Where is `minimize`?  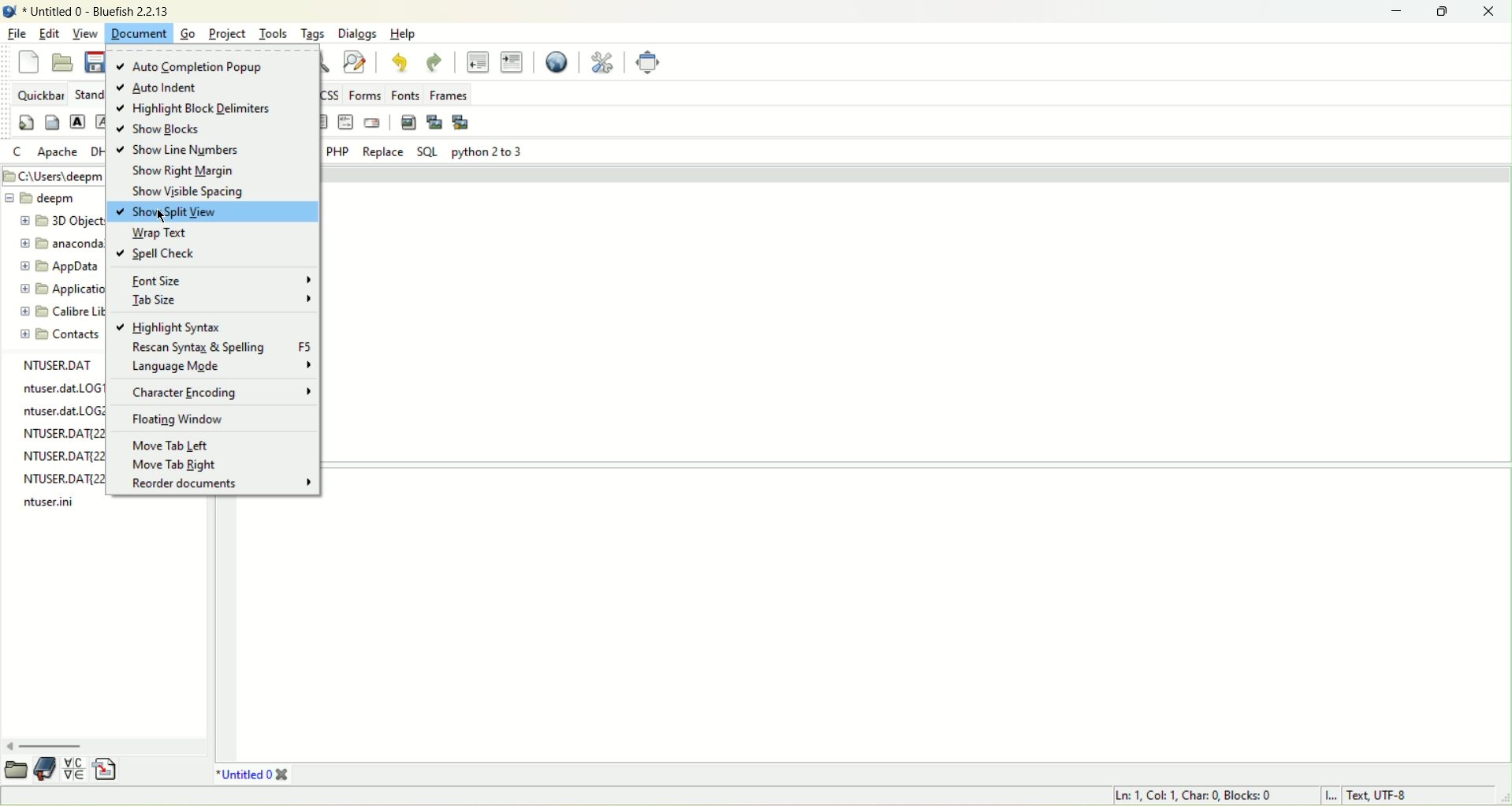
minimize is located at coordinates (1402, 9).